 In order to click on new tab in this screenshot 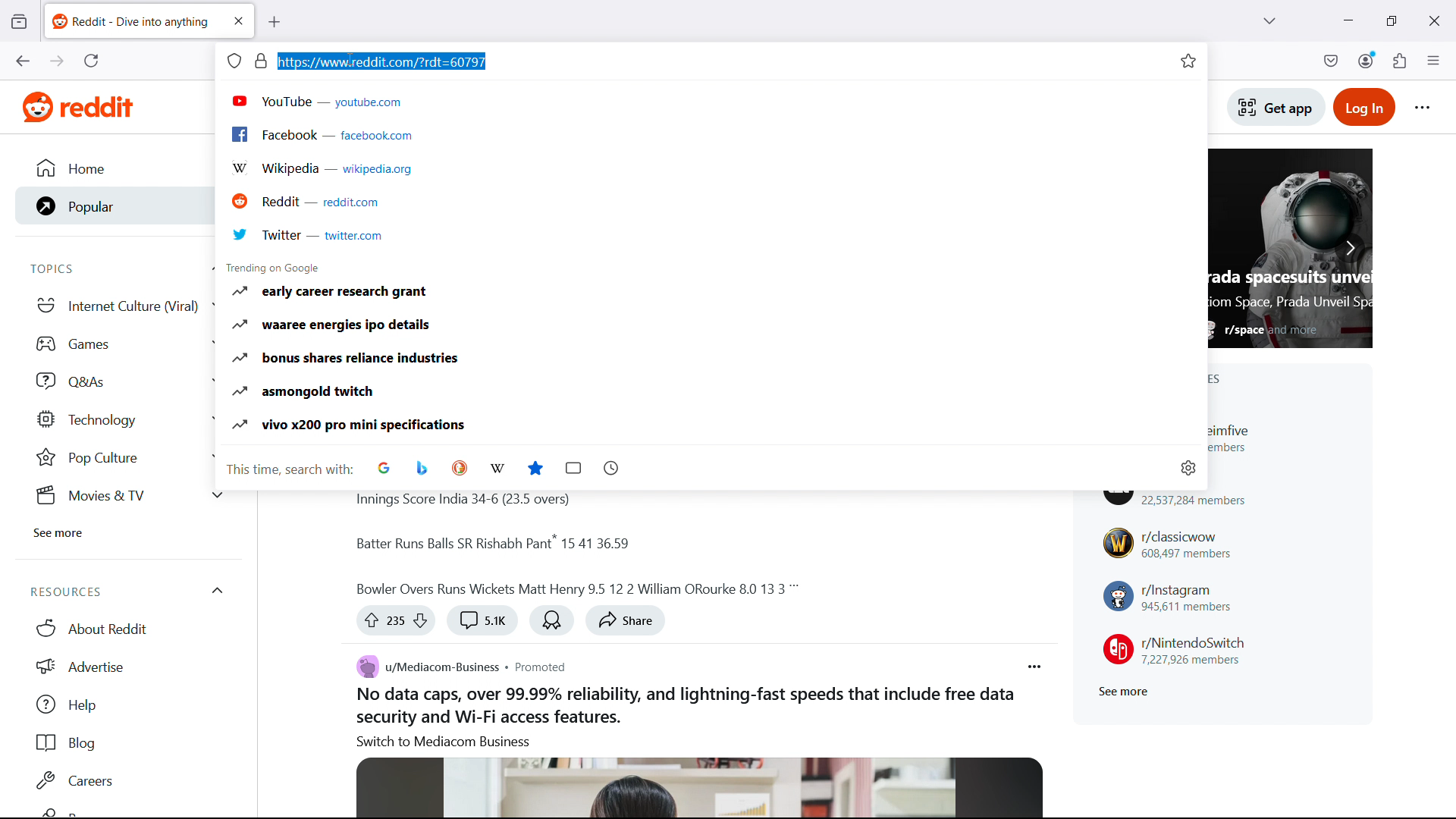, I will do `click(275, 22)`.